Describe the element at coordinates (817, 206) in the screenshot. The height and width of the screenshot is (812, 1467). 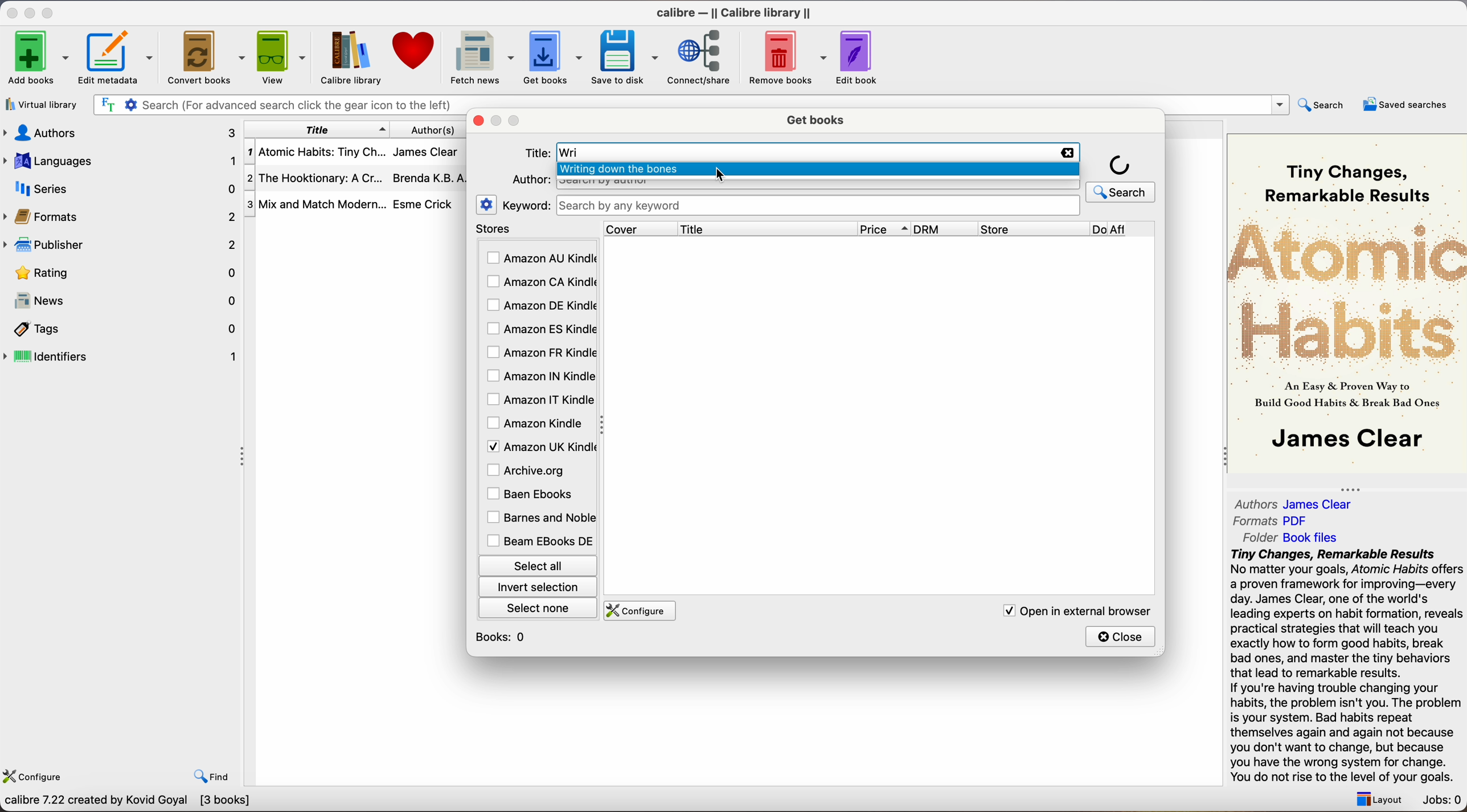
I see `search bar` at that location.